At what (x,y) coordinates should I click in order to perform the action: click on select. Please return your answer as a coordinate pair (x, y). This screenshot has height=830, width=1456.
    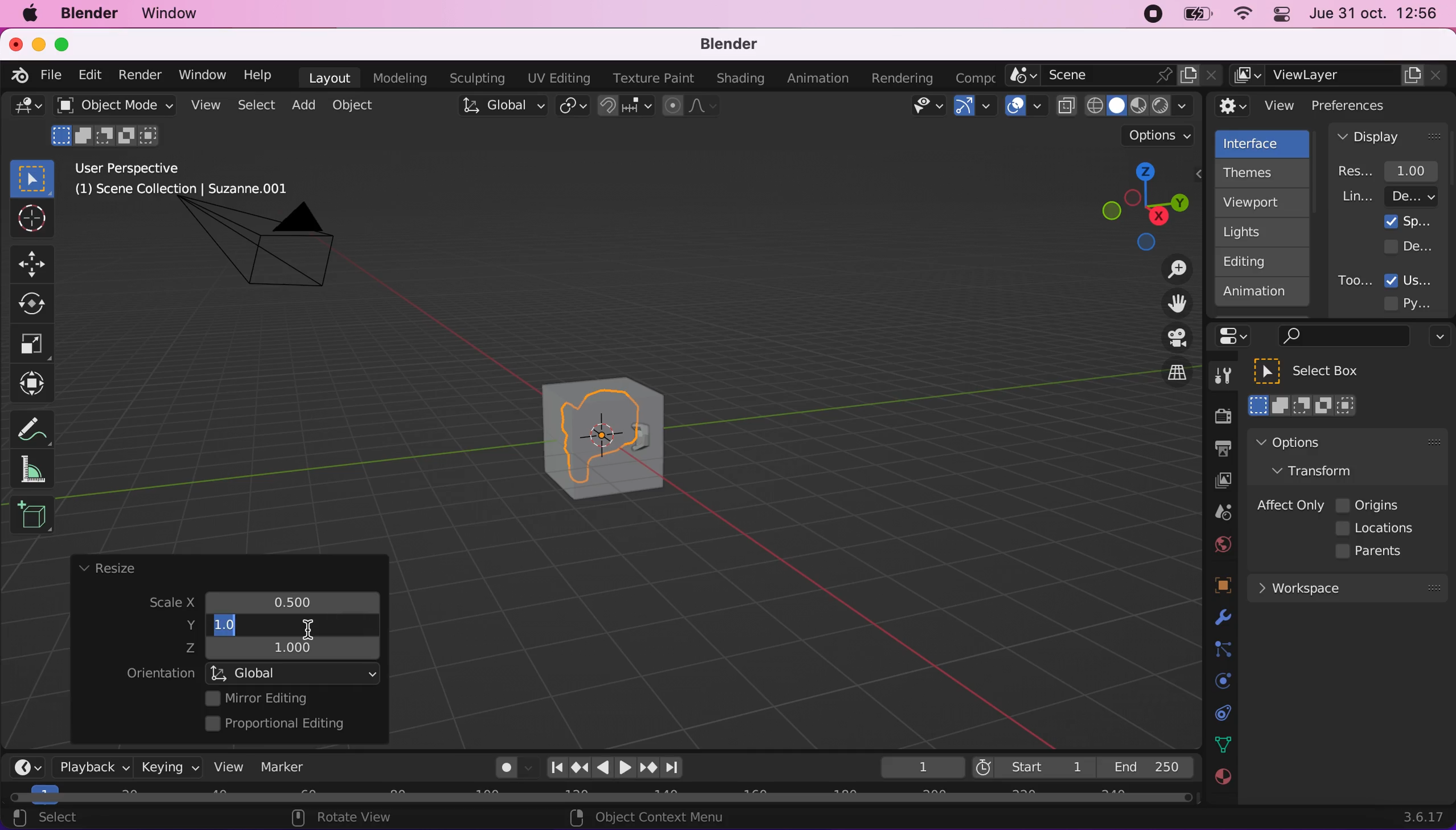
    Looking at the image, I should click on (255, 106).